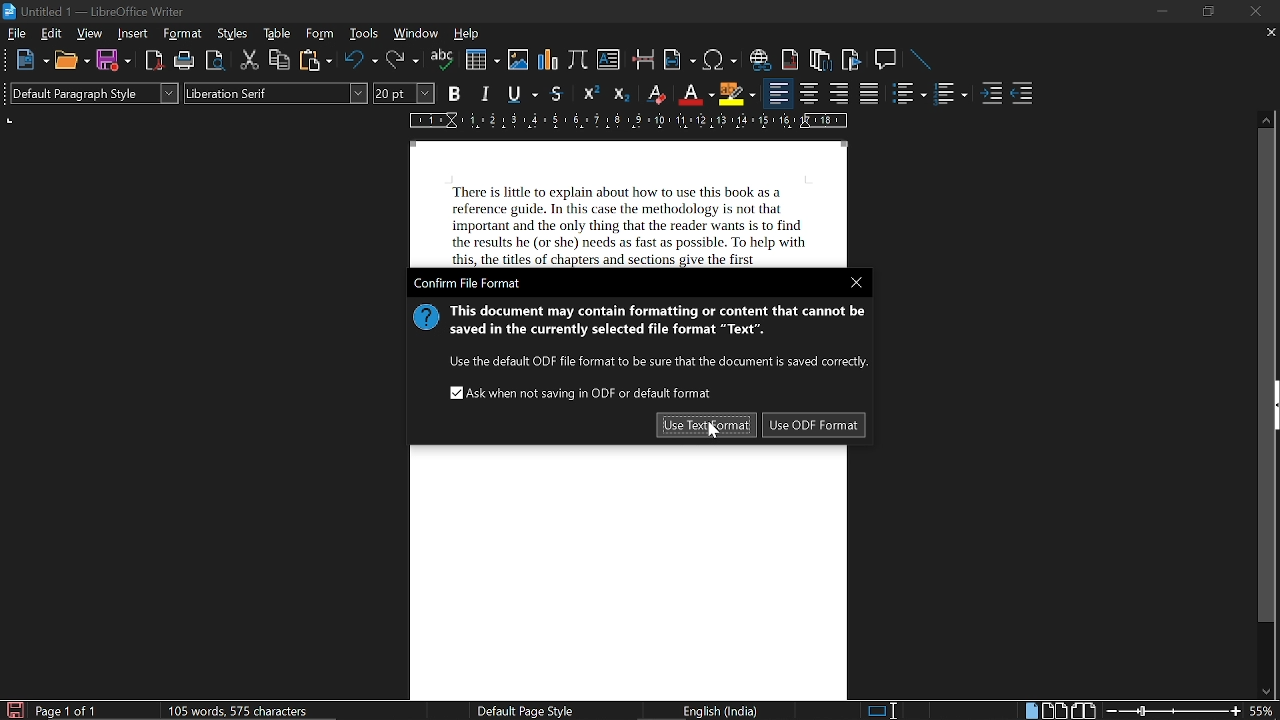  I want to click on close current tab, so click(1266, 33).